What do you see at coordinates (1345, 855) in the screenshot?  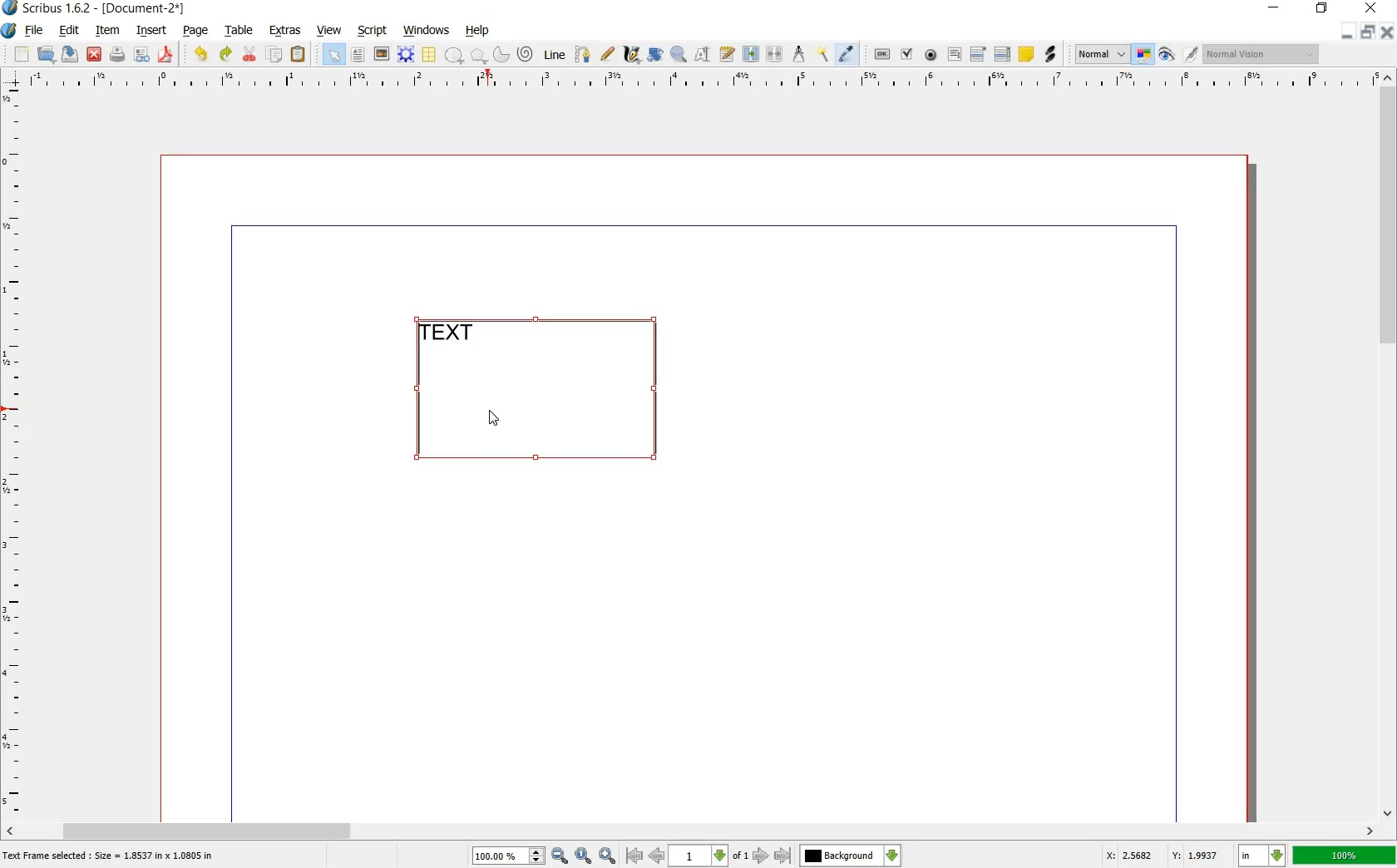 I see `100%` at bounding box center [1345, 855].